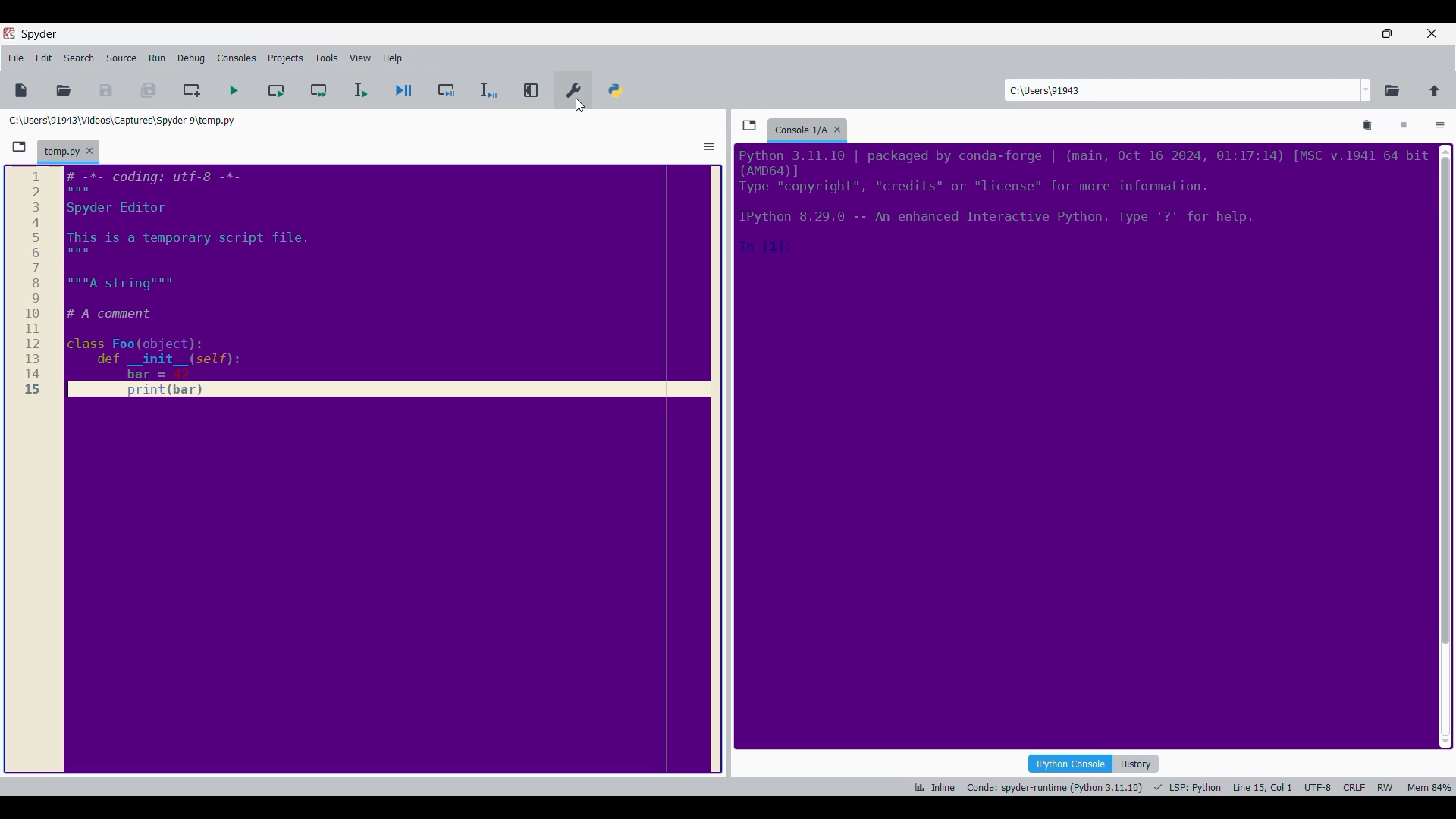 The width and height of the screenshot is (1456, 819). Describe the element at coordinates (1354, 786) in the screenshot. I see `CRLF` at that location.